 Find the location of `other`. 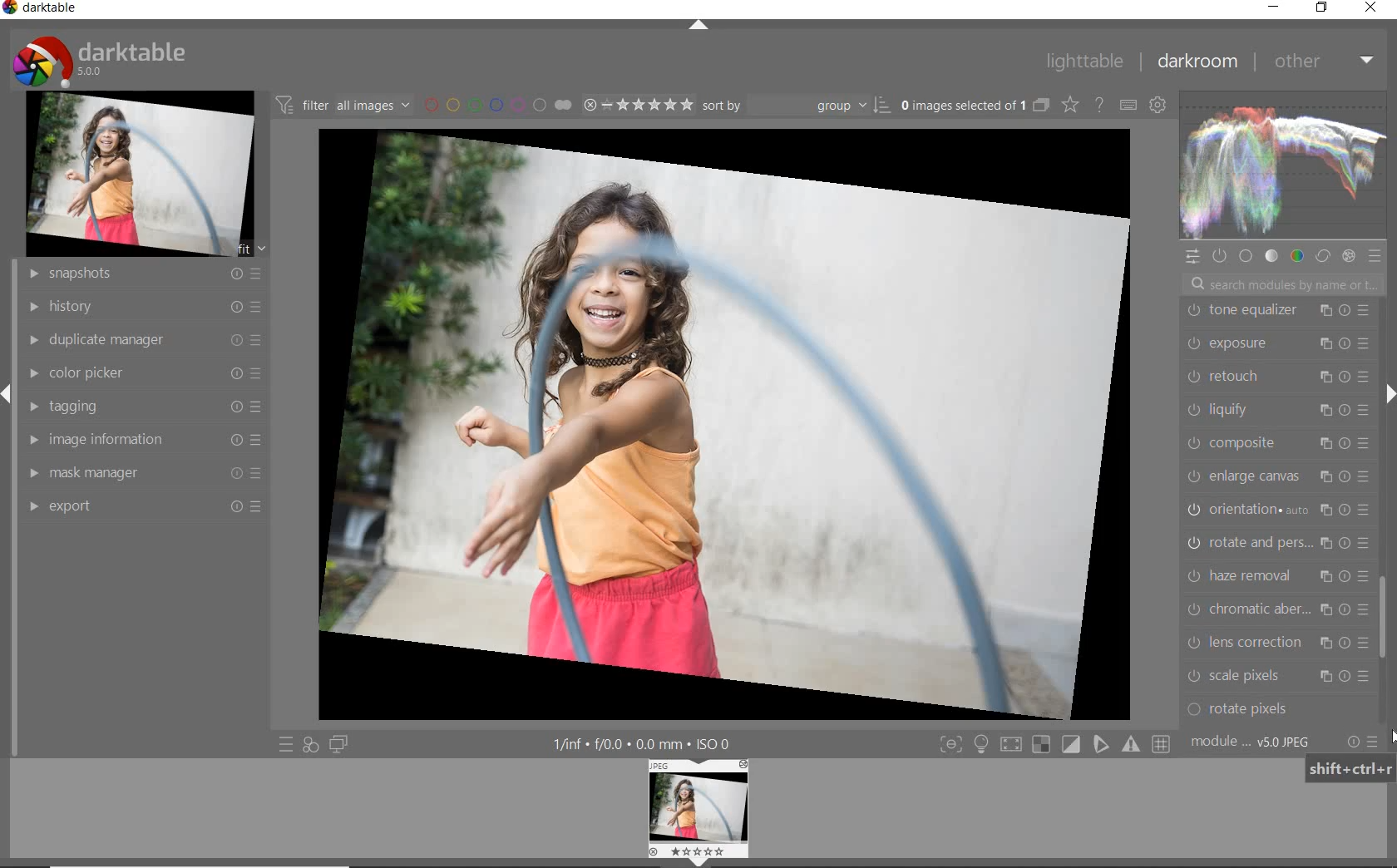

other is located at coordinates (1321, 61).